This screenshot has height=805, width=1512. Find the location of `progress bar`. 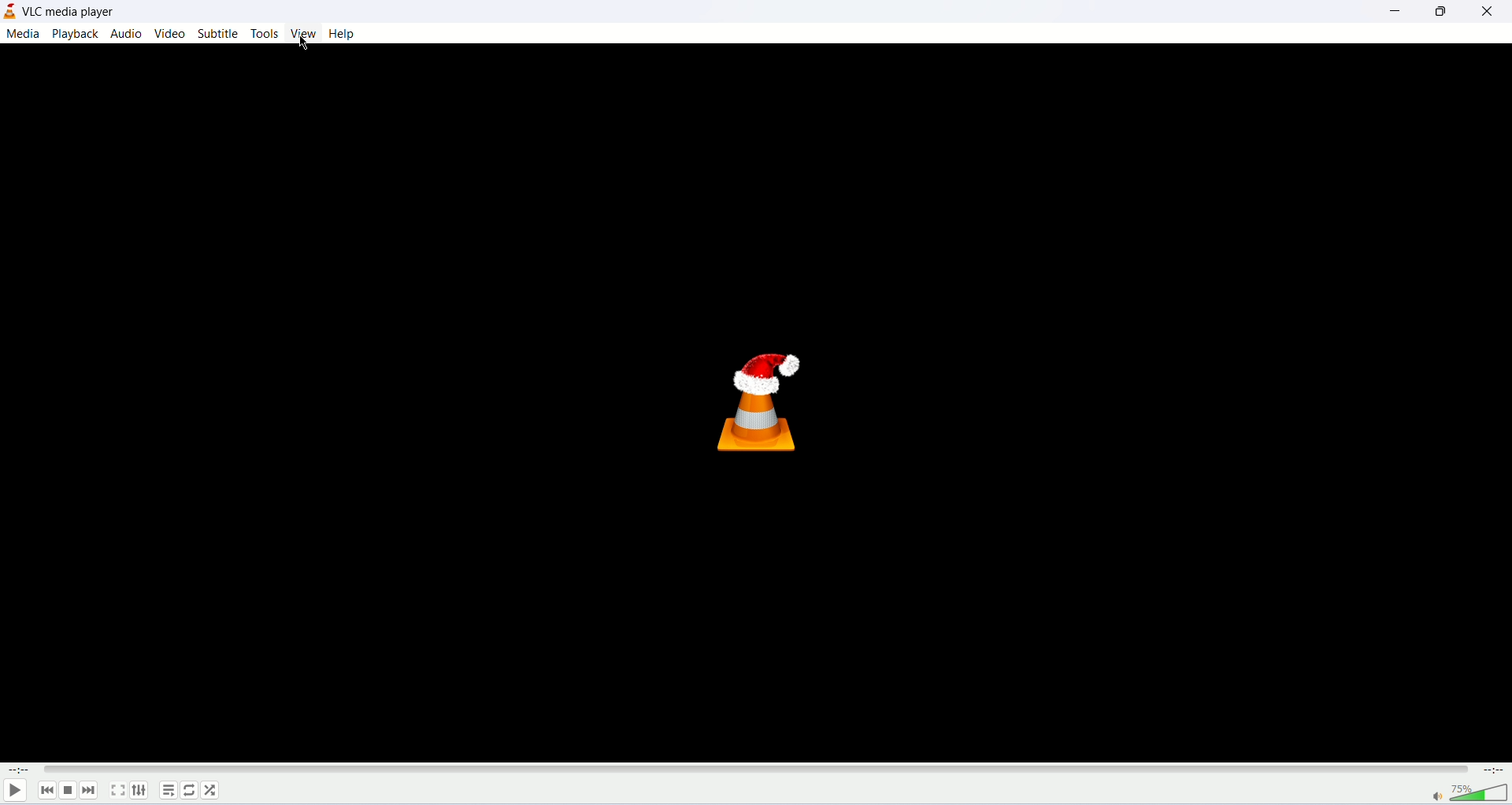

progress bar is located at coordinates (755, 769).